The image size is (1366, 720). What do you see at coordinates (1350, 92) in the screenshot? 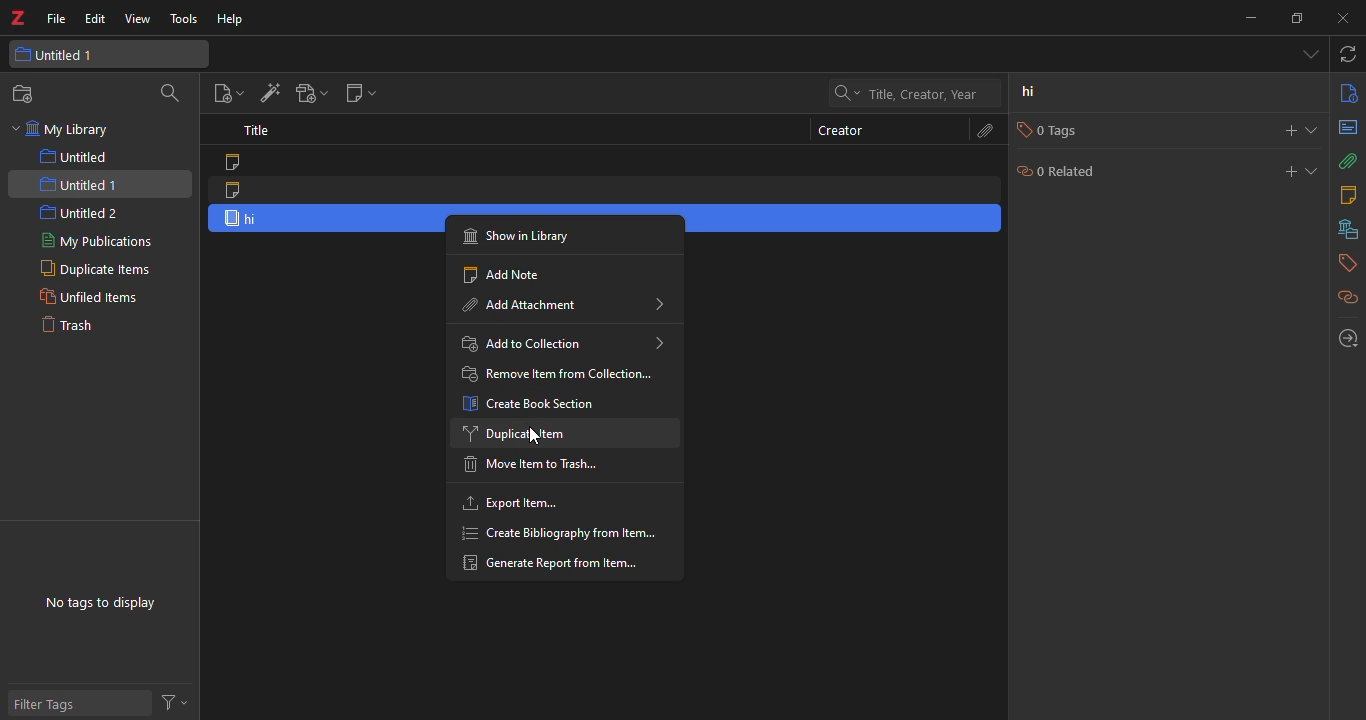
I see `info` at bounding box center [1350, 92].